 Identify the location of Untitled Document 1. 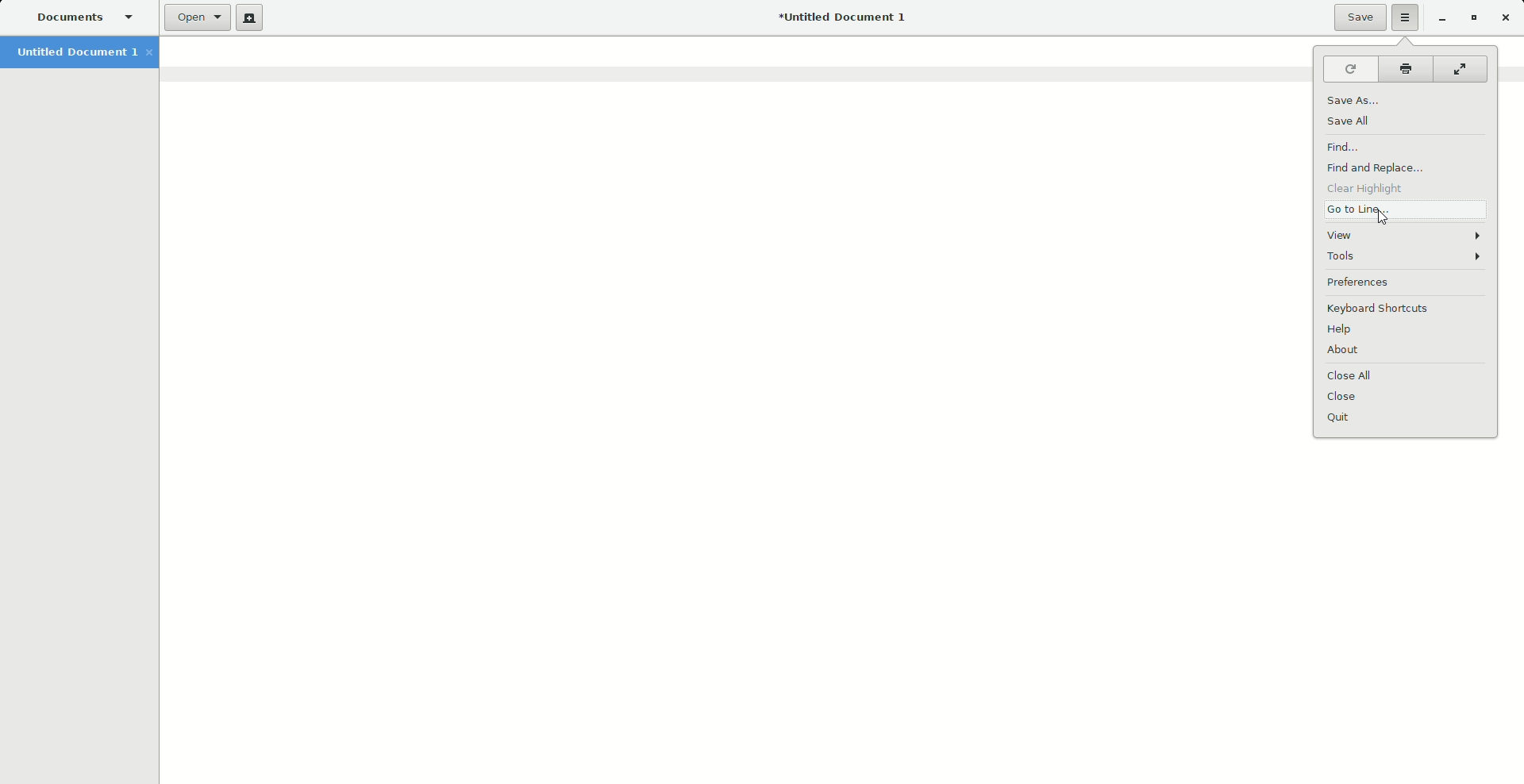
(84, 54).